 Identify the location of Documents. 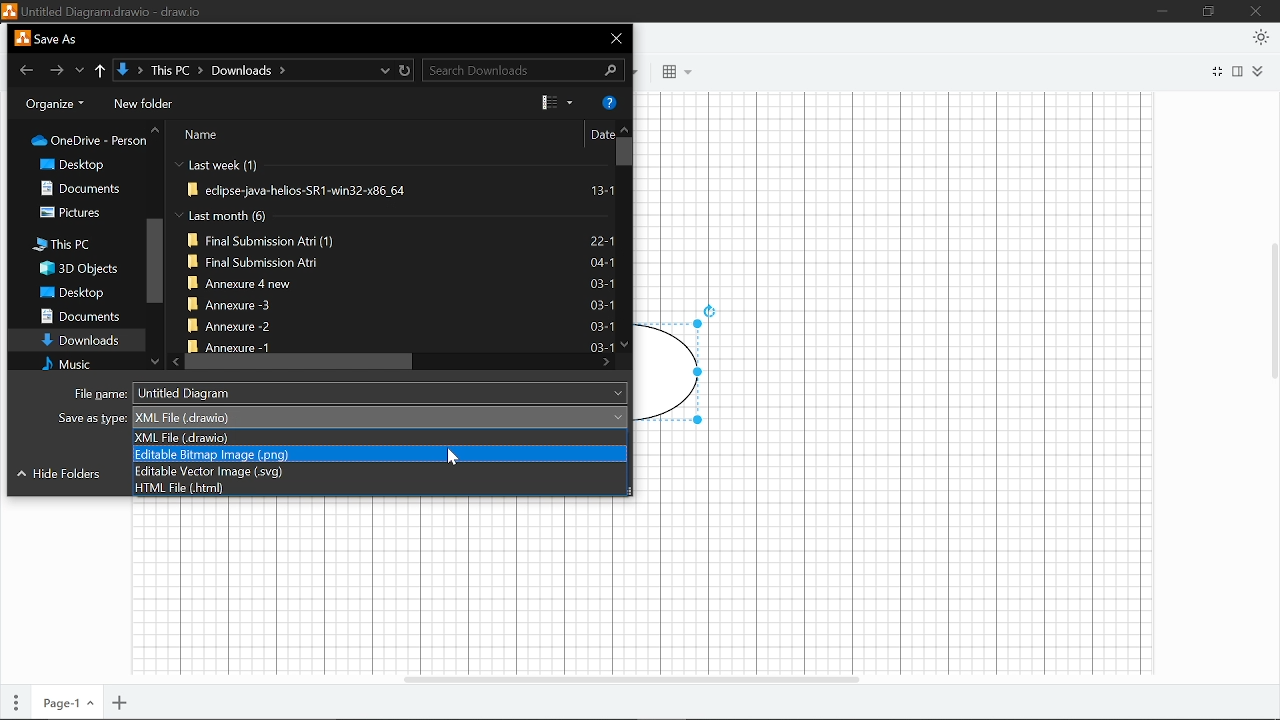
(79, 317).